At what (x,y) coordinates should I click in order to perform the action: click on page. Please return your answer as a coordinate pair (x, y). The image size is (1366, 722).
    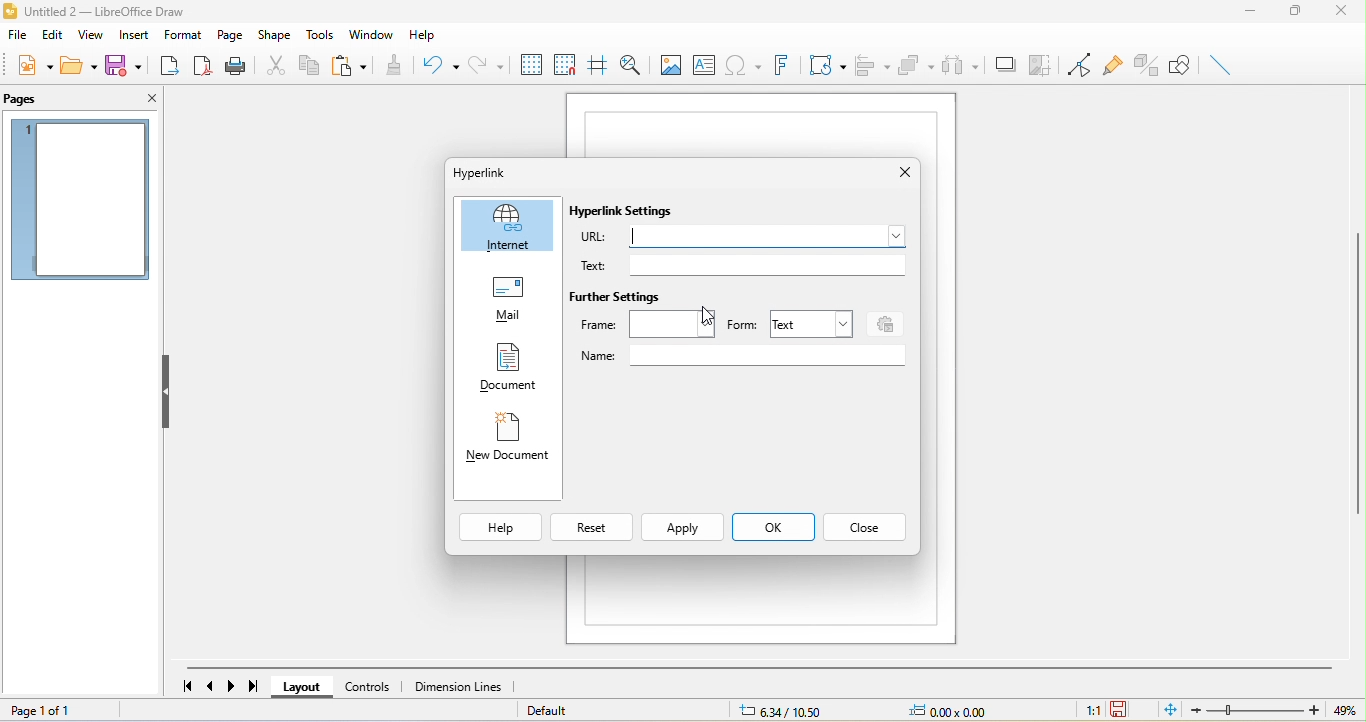
    Looking at the image, I should click on (233, 36).